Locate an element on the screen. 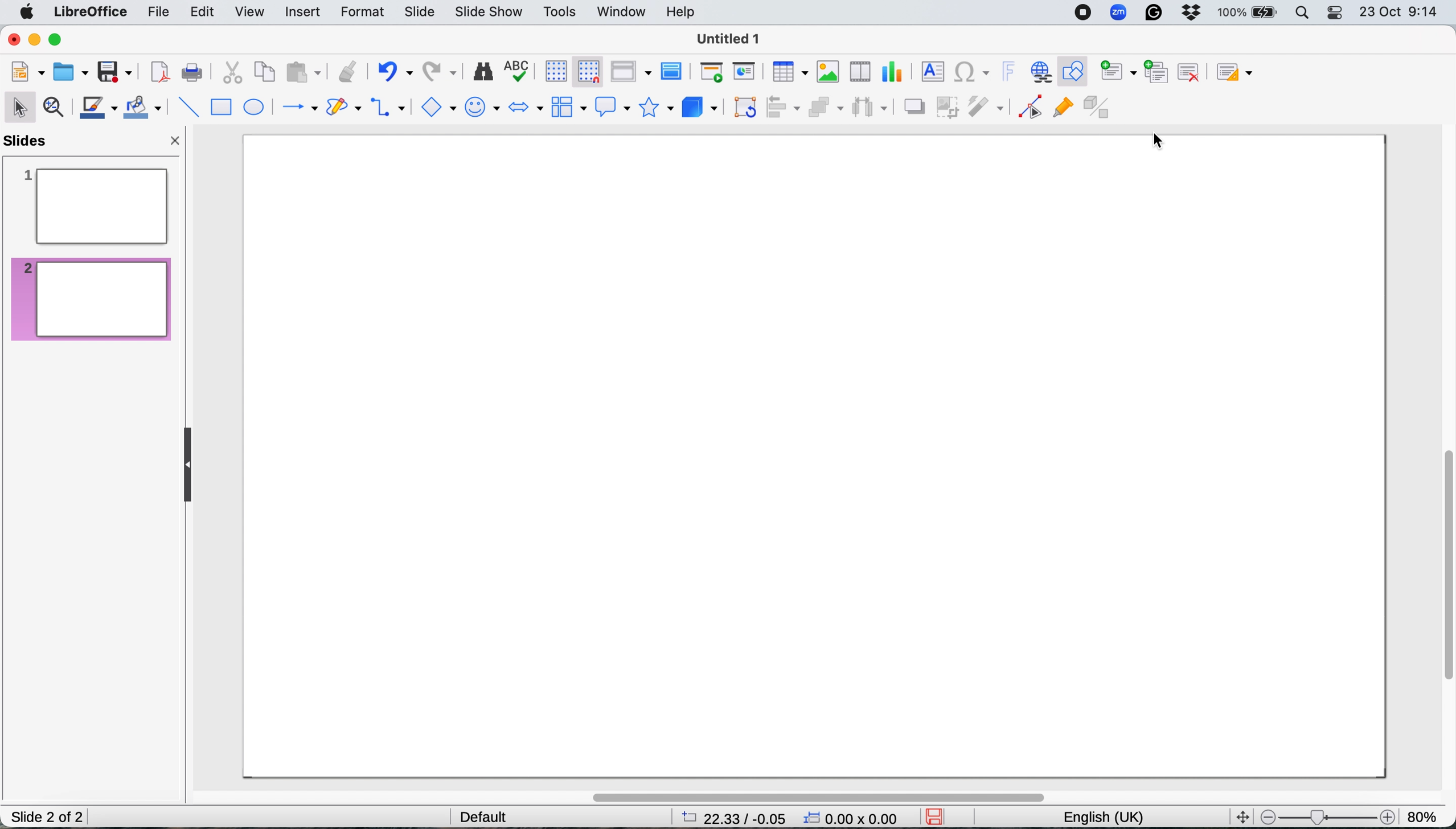  curves and polygons is located at coordinates (343, 108).